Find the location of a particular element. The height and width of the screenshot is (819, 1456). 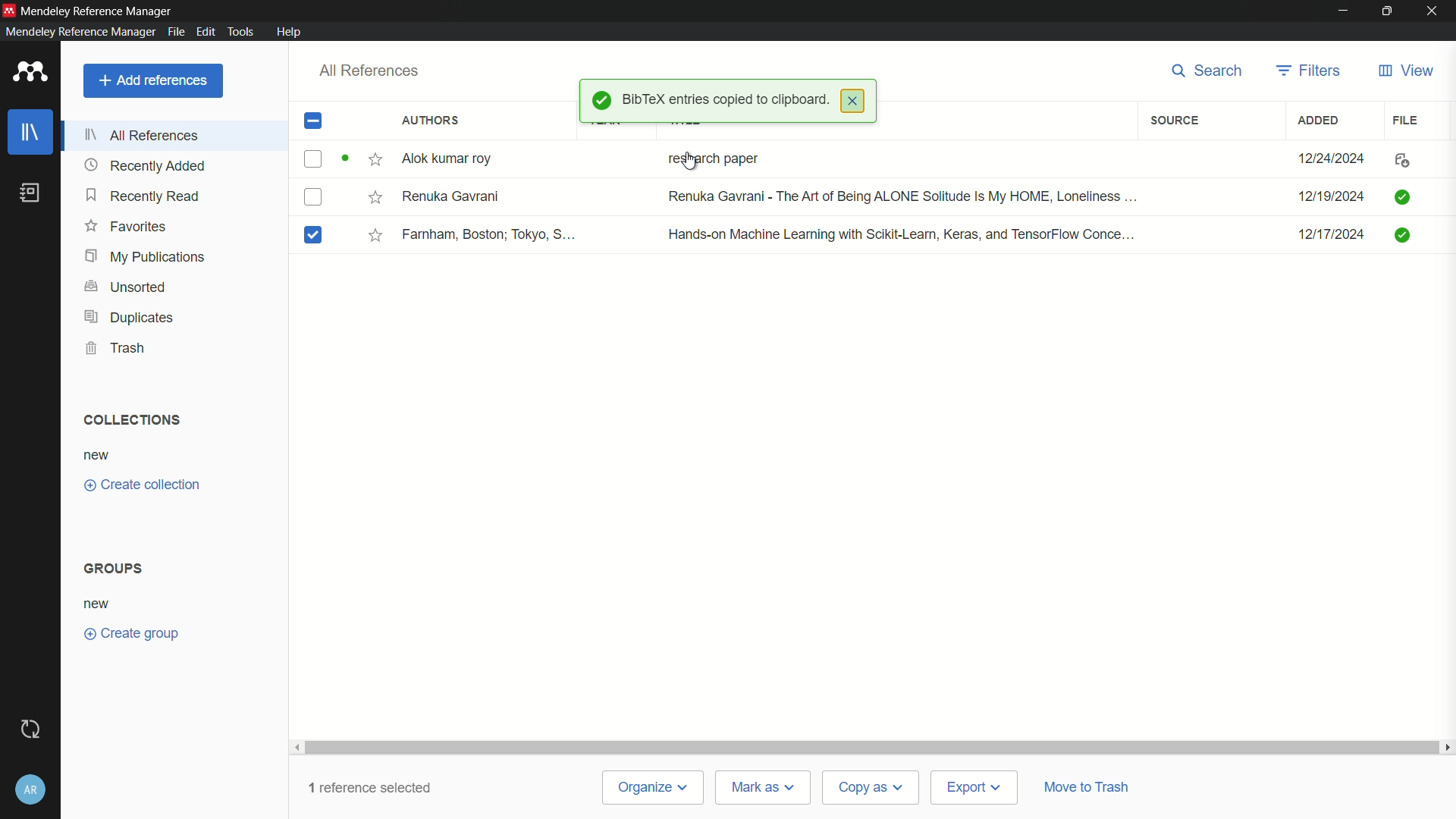

maximize is located at coordinates (1384, 11).